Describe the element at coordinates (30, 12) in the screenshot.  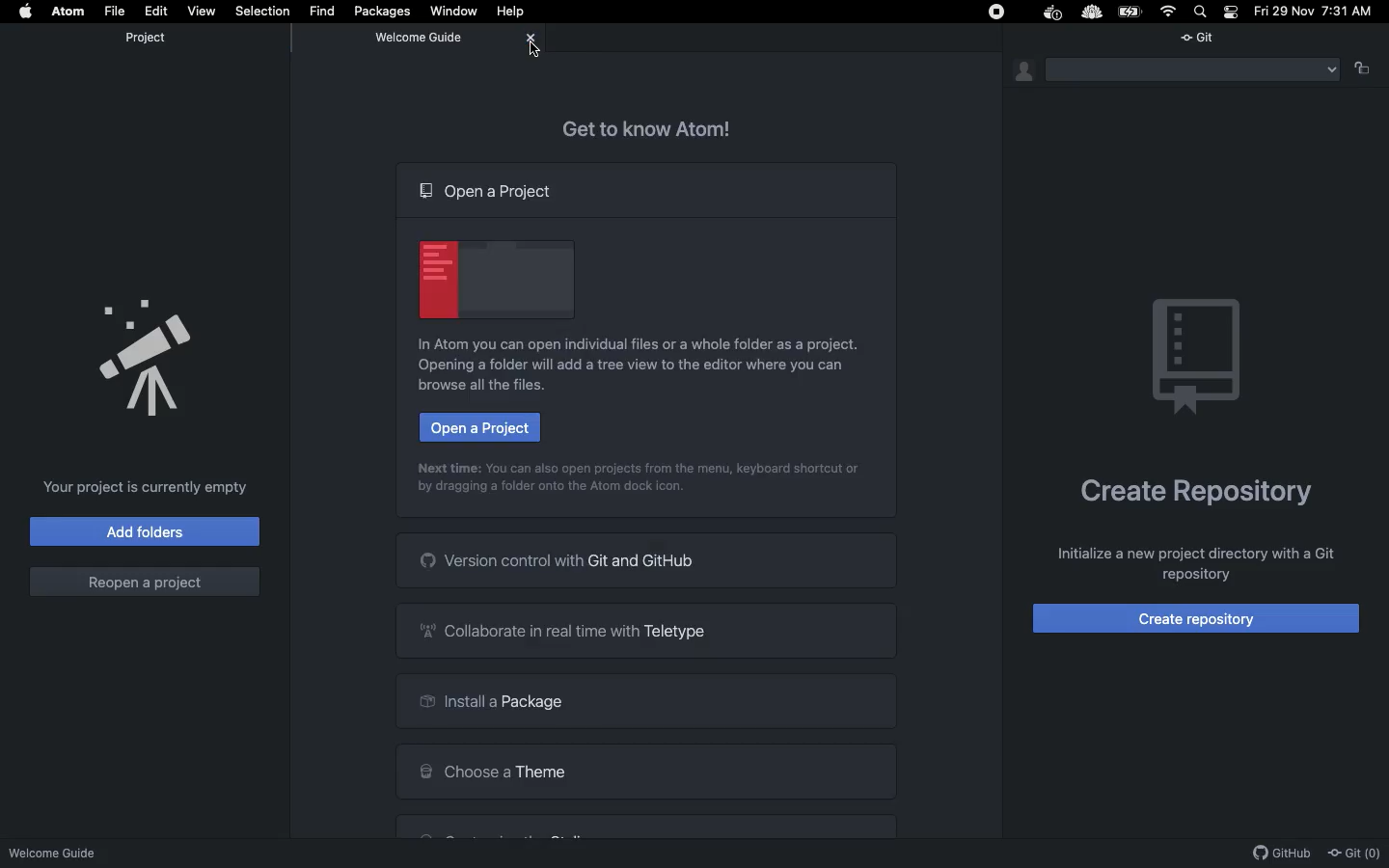
I see `Apple logo` at that location.